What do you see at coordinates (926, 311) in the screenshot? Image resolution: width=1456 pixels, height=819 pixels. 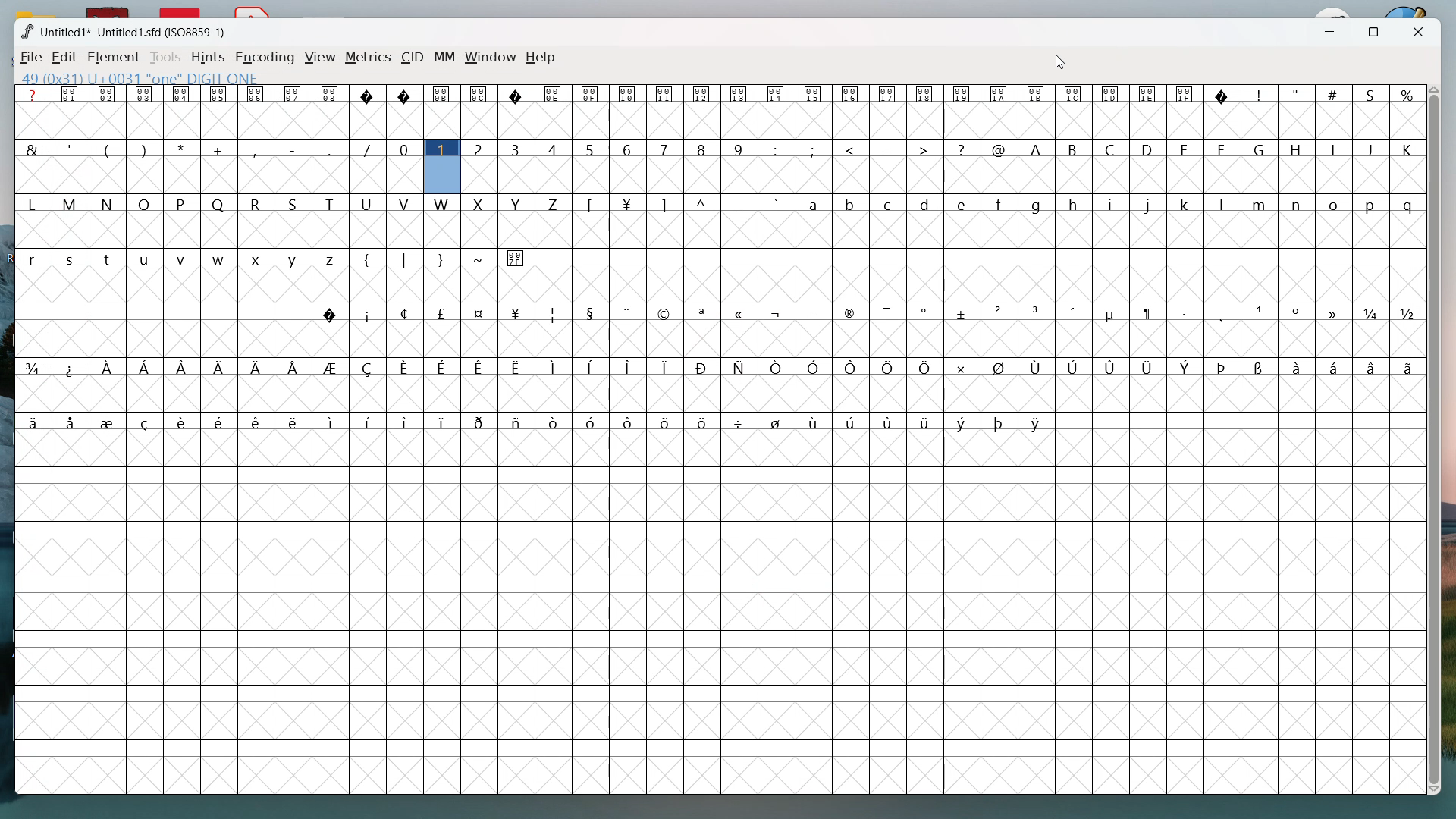 I see `symbol` at bounding box center [926, 311].